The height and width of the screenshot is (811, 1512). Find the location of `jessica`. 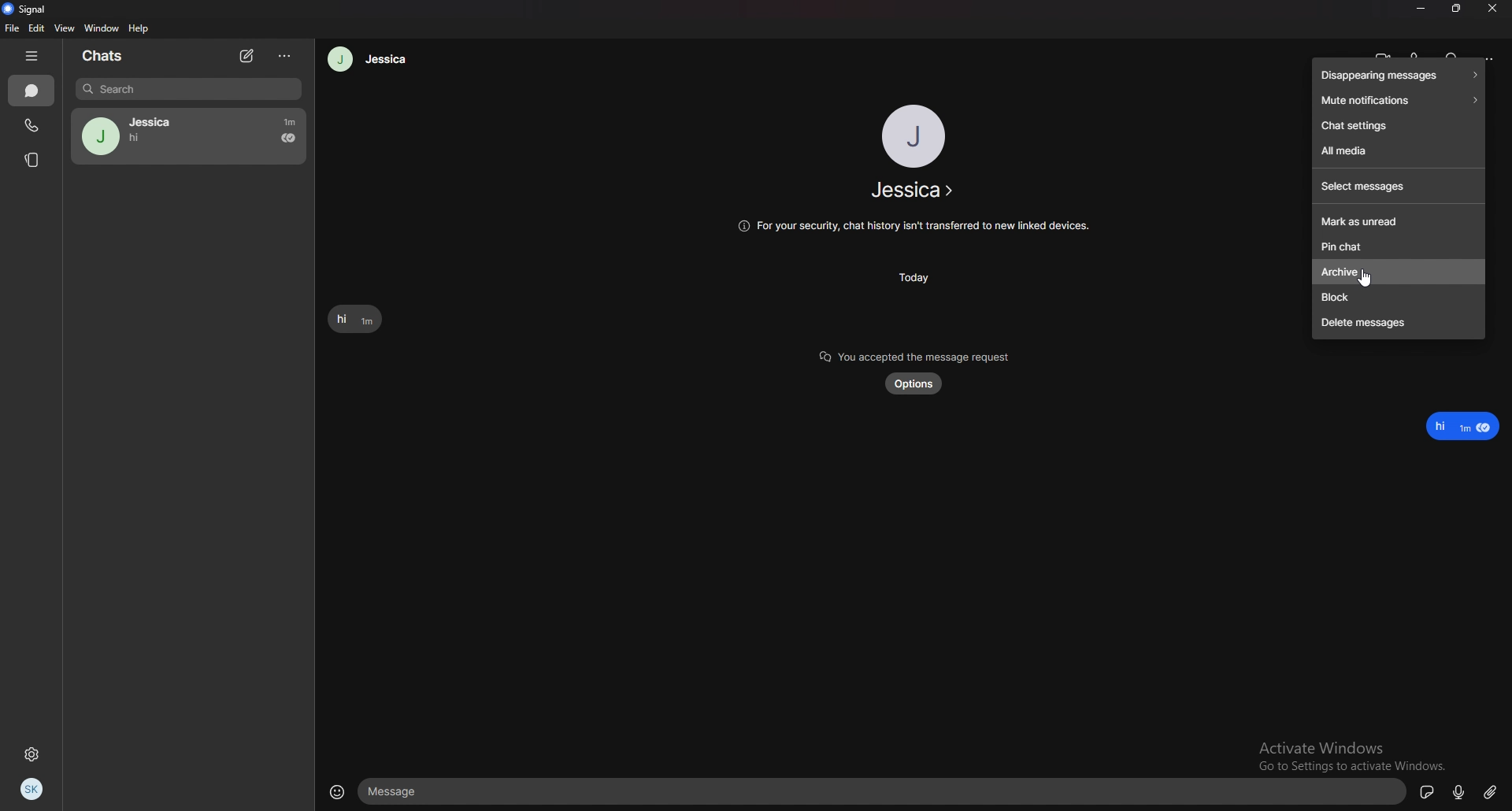

jessica is located at coordinates (911, 191).